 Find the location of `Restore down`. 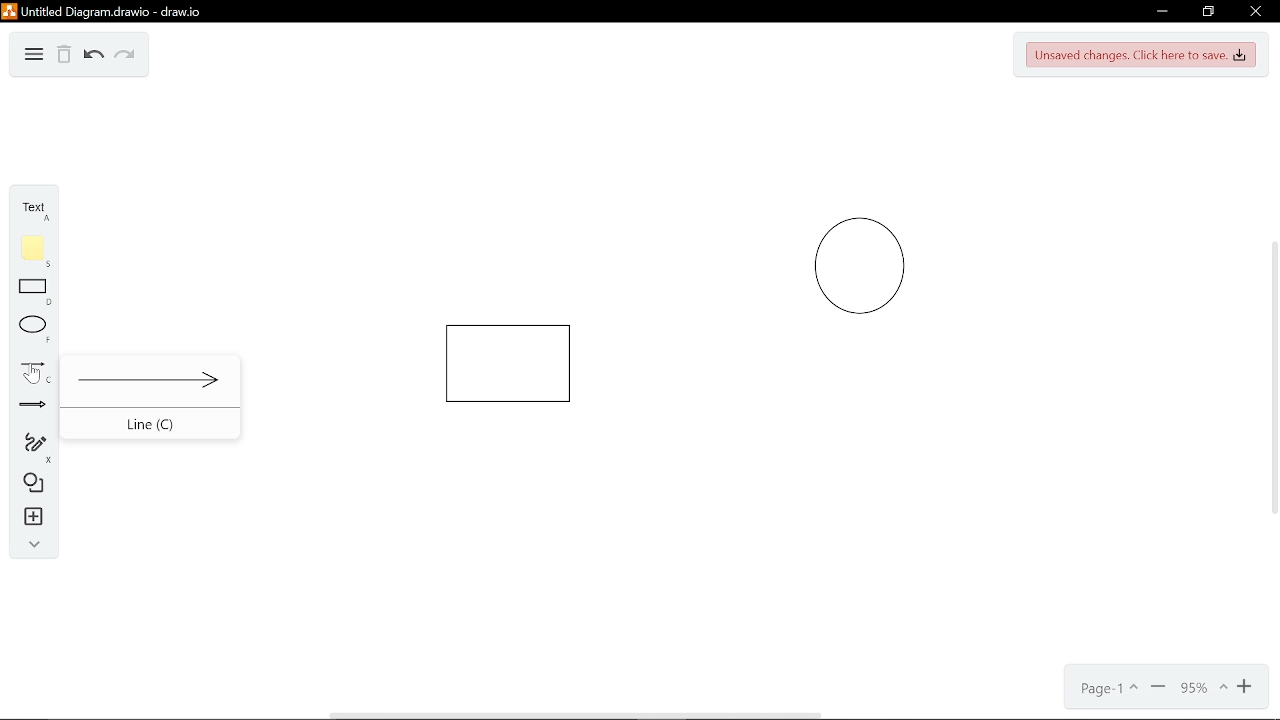

Restore down is located at coordinates (1210, 12).